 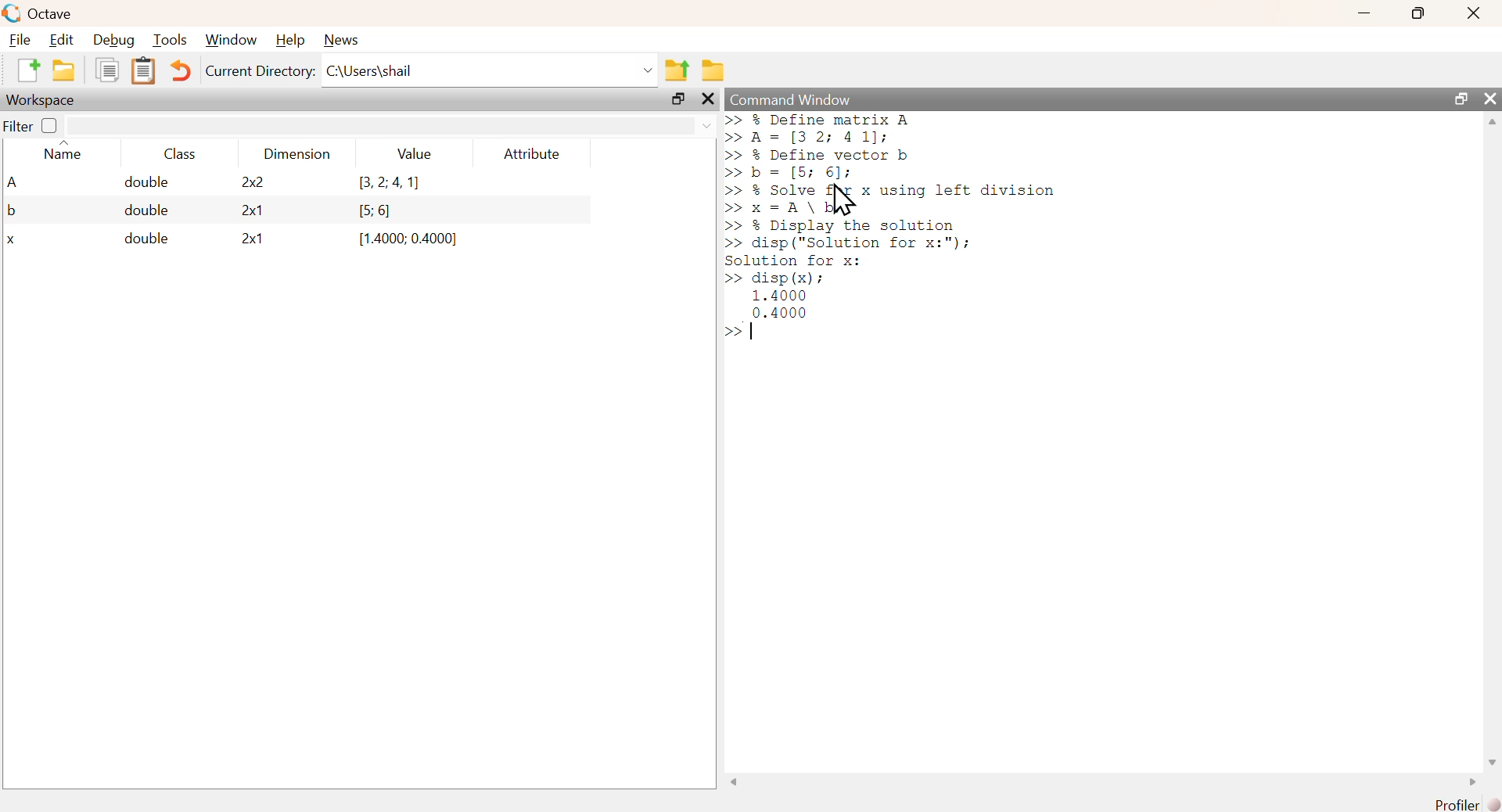 I want to click on off, so click(x=49, y=125).